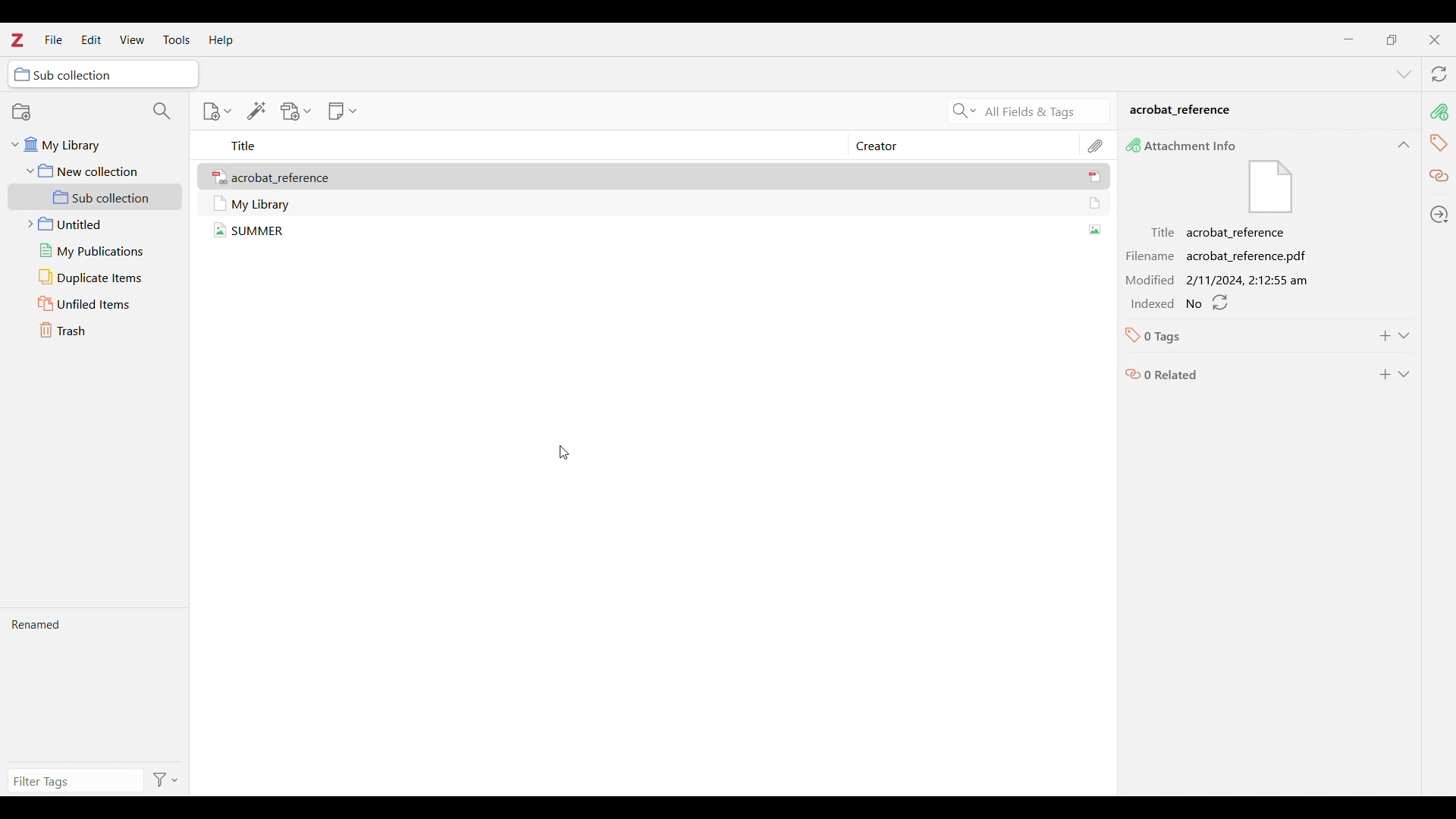  I want to click on Close interface, so click(1434, 39).